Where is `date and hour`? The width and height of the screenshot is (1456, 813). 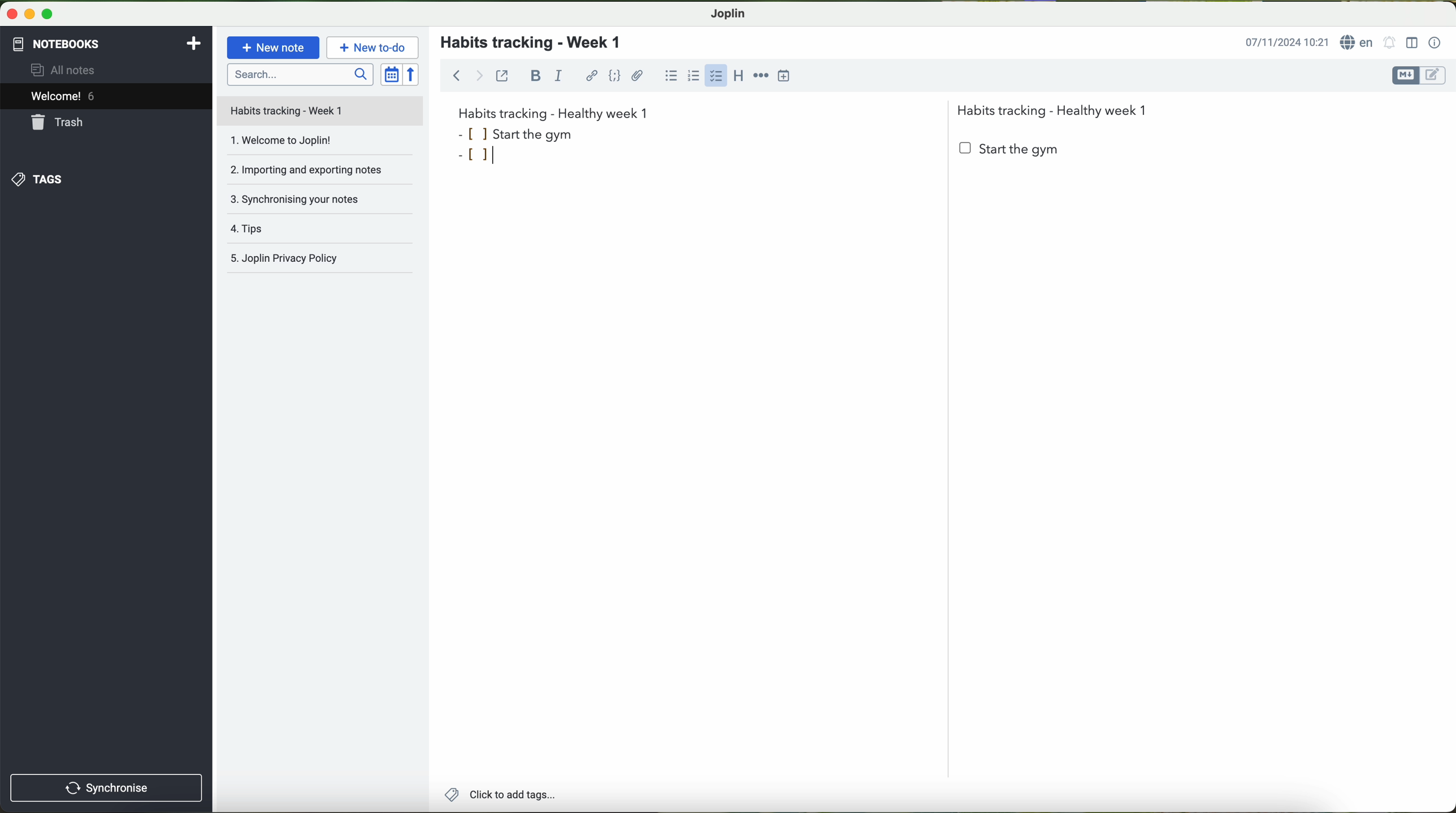 date and hour is located at coordinates (1287, 41).